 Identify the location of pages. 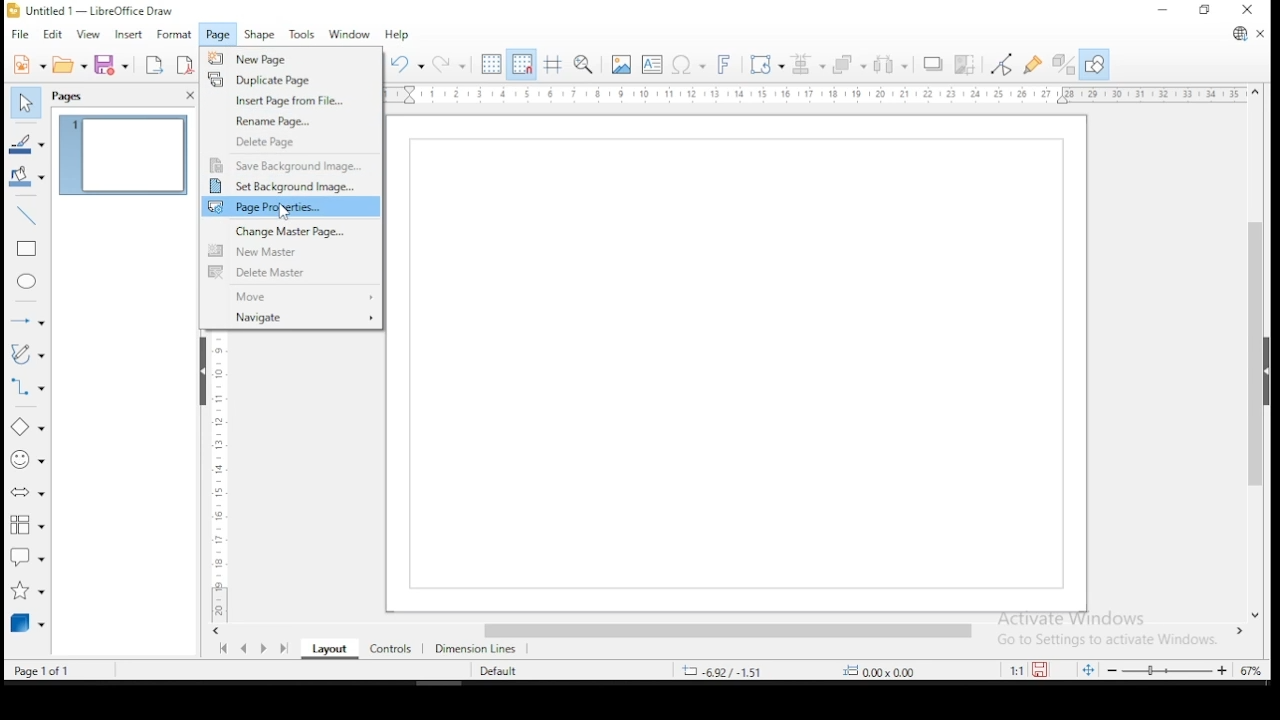
(70, 96).